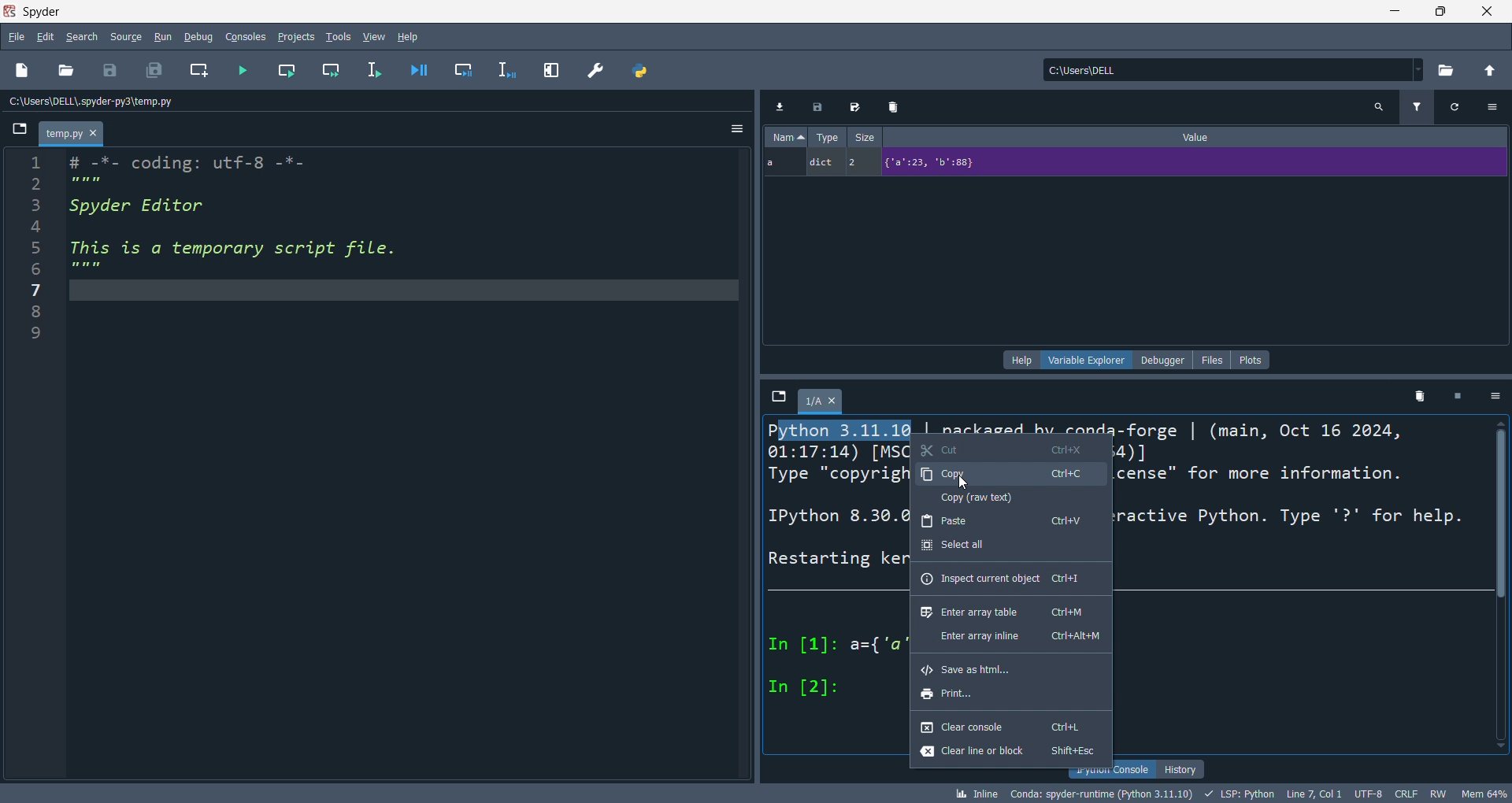  I want to click on open folder, so click(65, 72).